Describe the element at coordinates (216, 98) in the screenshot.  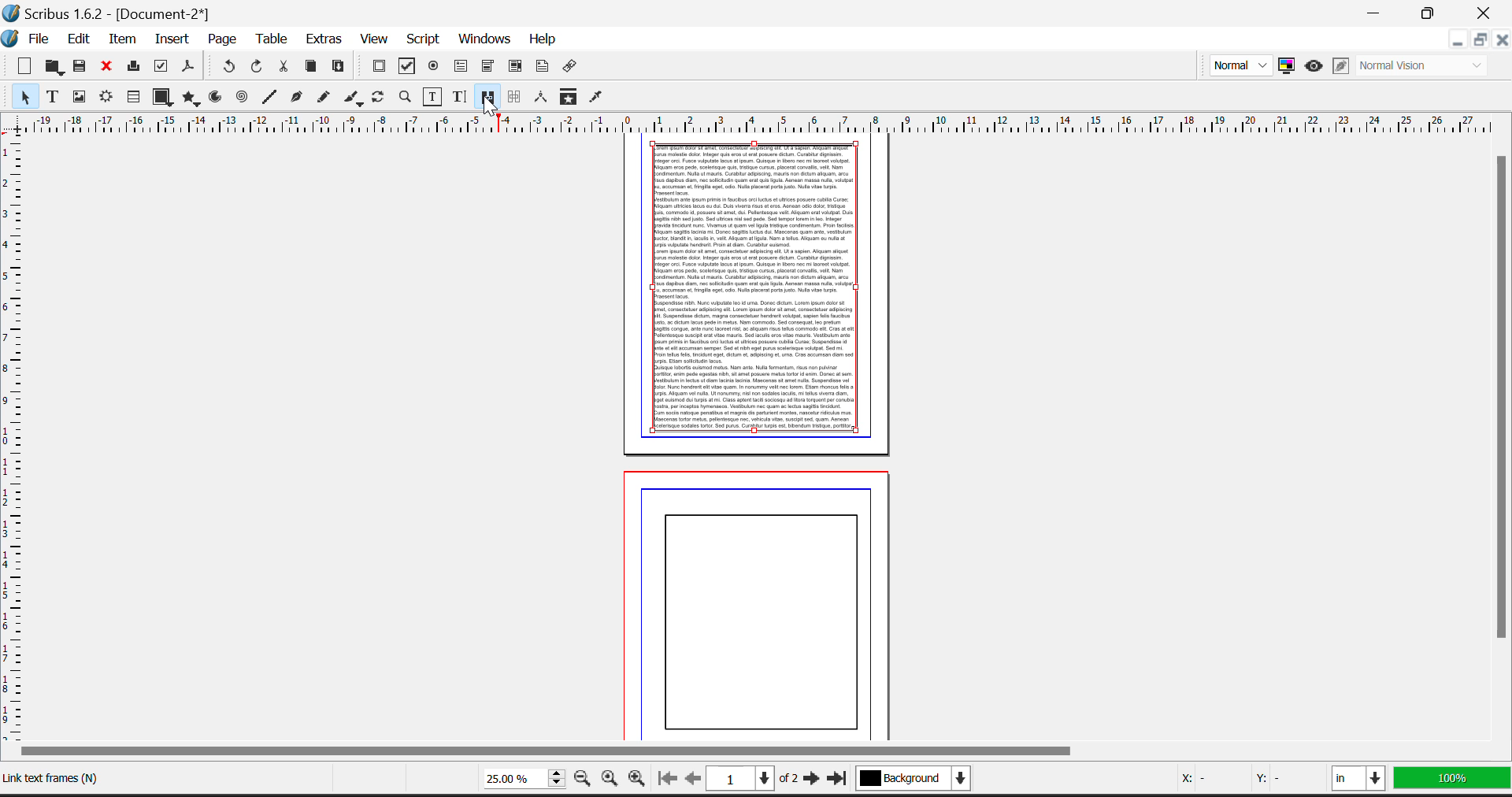
I see `Arcs` at that location.